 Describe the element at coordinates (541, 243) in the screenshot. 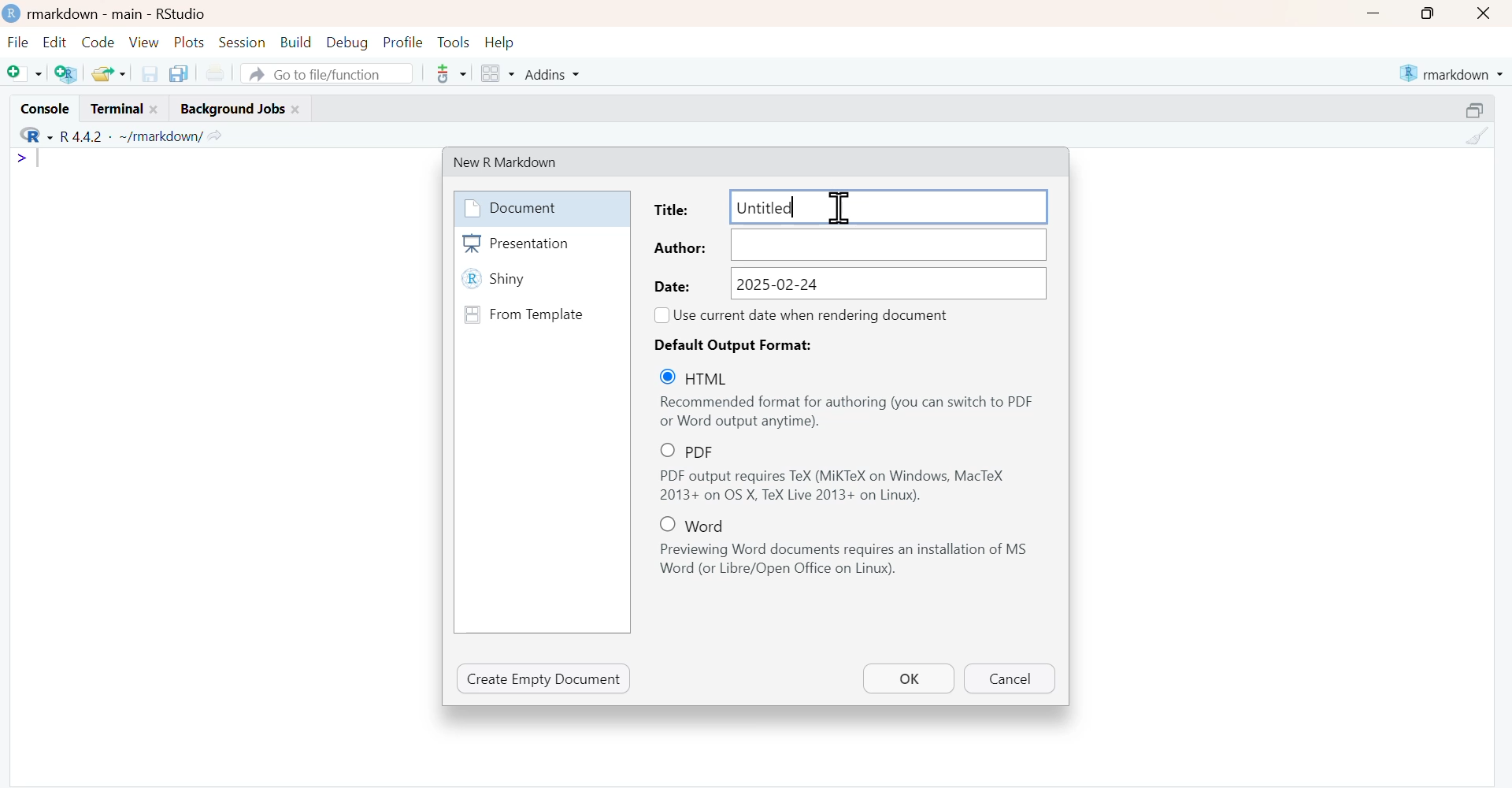

I see `Presentation` at that location.